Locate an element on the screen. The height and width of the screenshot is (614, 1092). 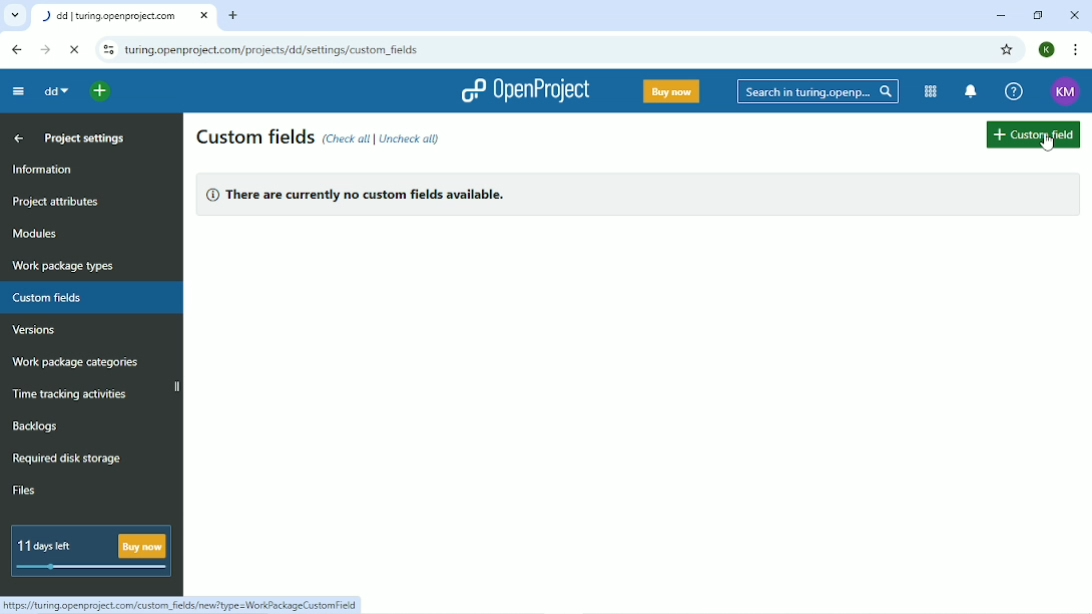
https://turing.openproject.com/custom_fields/new?type=WorkPackageCustomfielf is located at coordinates (185, 605).